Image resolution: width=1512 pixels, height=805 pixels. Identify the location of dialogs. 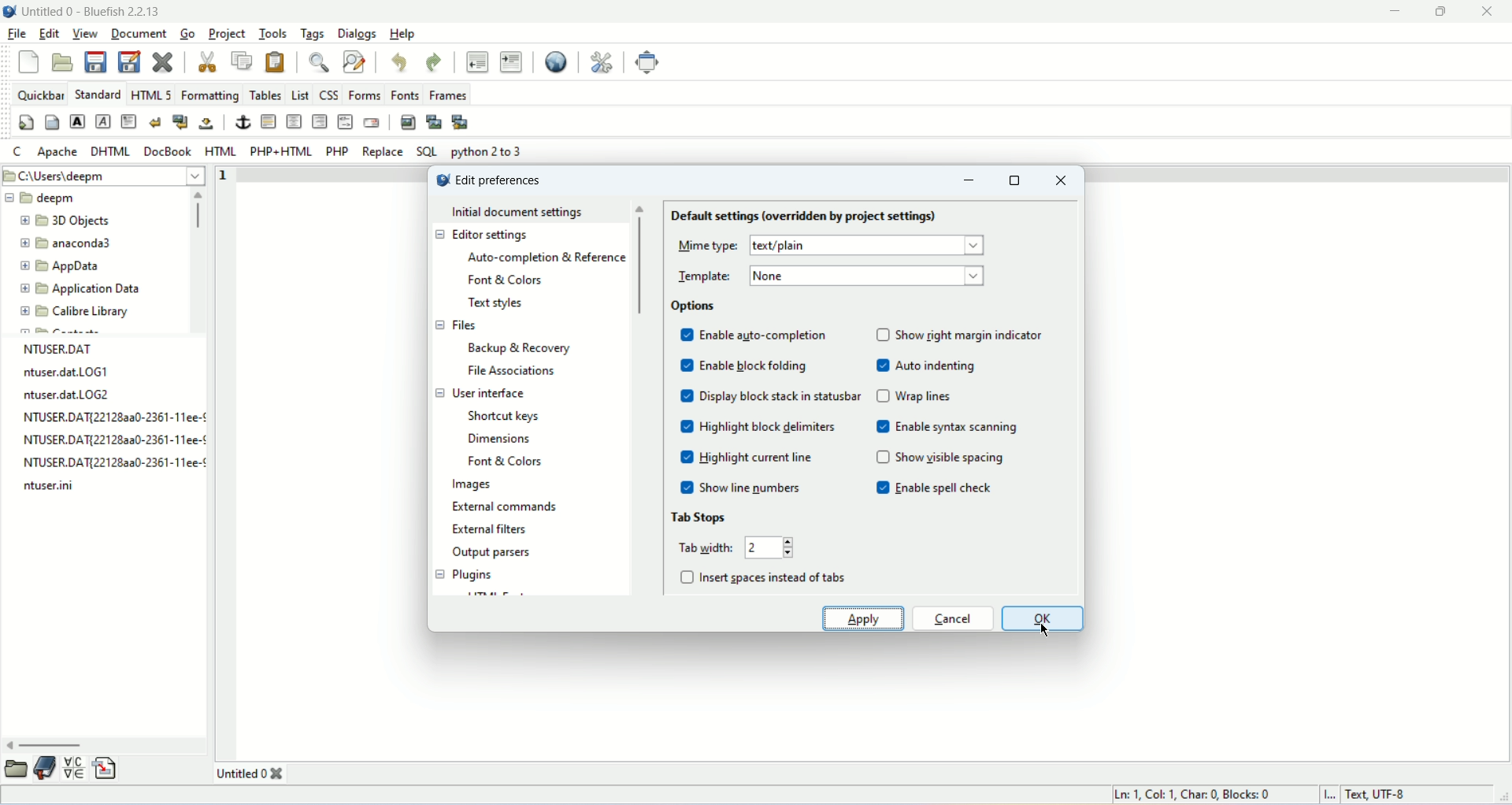
(358, 33).